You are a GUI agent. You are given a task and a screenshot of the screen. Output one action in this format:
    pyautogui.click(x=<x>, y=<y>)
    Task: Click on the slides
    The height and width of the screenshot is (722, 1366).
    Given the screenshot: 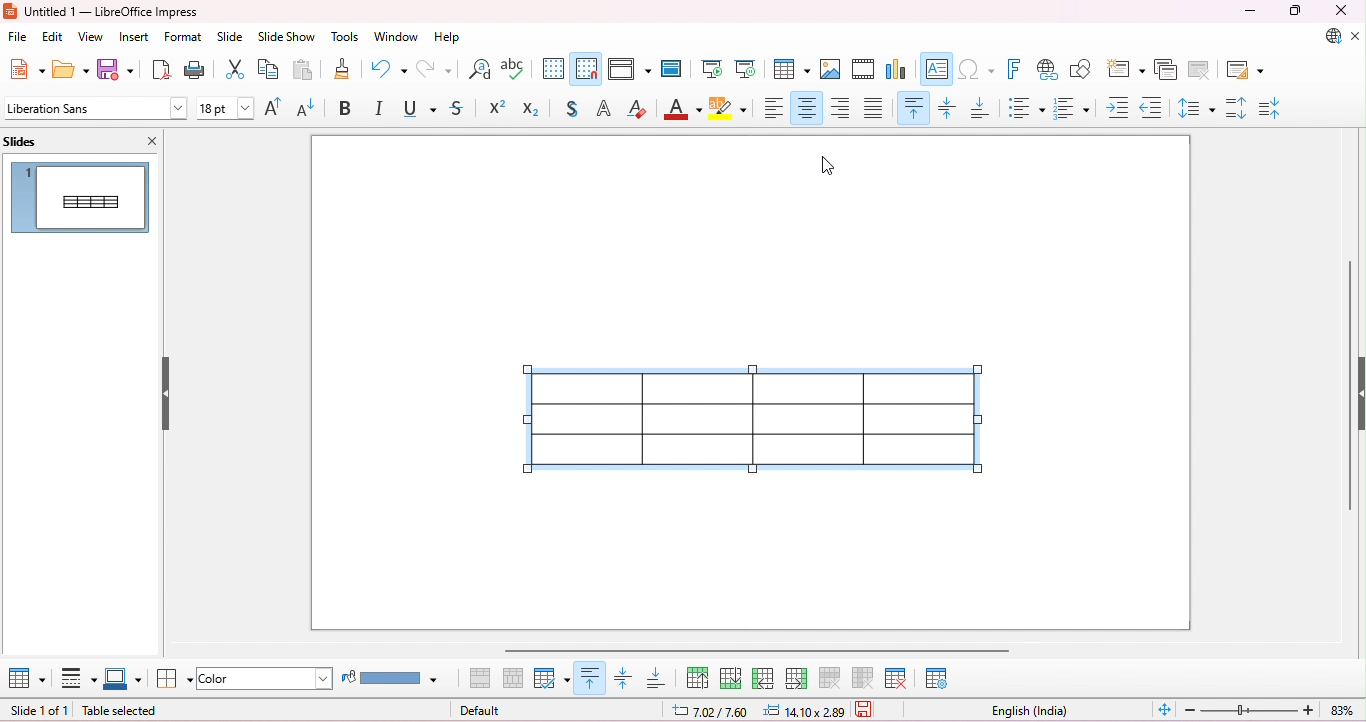 What is the action you would take?
    pyautogui.click(x=39, y=140)
    